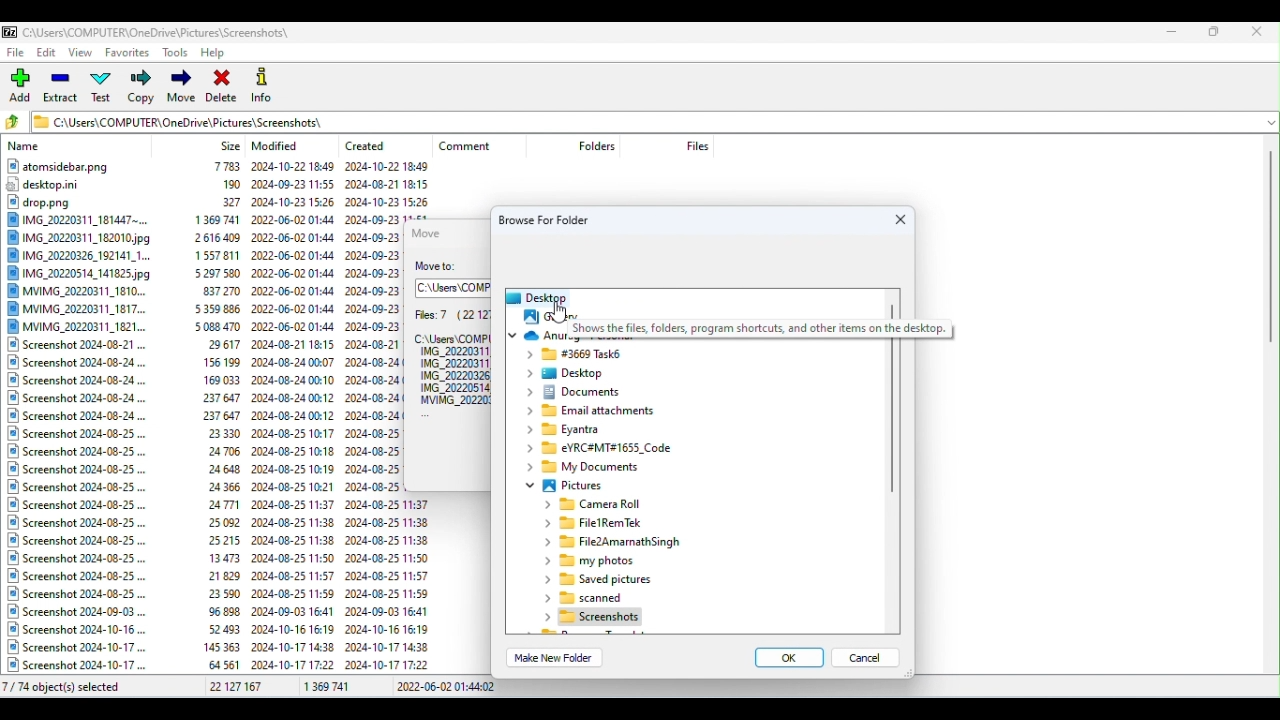  Describe the element at coordinates (83, 54) in the screenshot. I see `View` at that location.